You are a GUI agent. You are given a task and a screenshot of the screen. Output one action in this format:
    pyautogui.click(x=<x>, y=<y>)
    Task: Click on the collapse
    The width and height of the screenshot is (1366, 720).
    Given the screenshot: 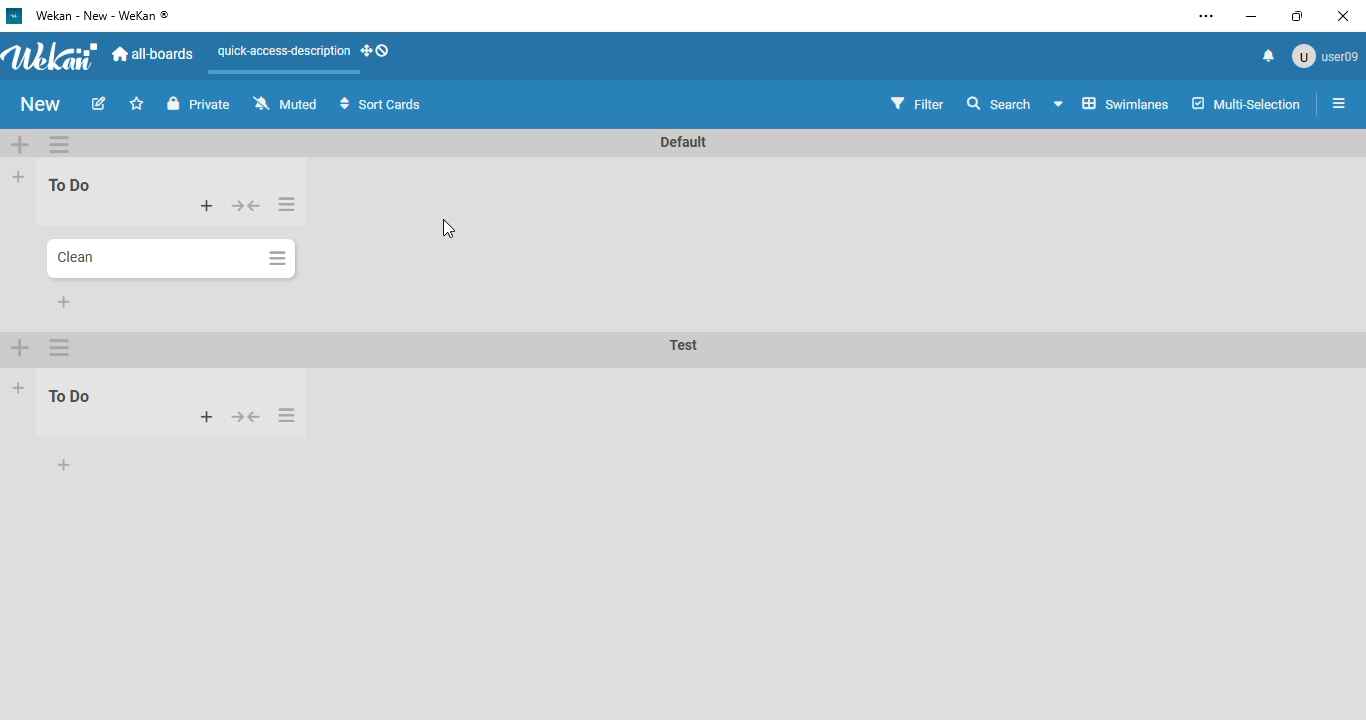 What is the action you would take?
    pyautogui.click(x=246, y=417)
    